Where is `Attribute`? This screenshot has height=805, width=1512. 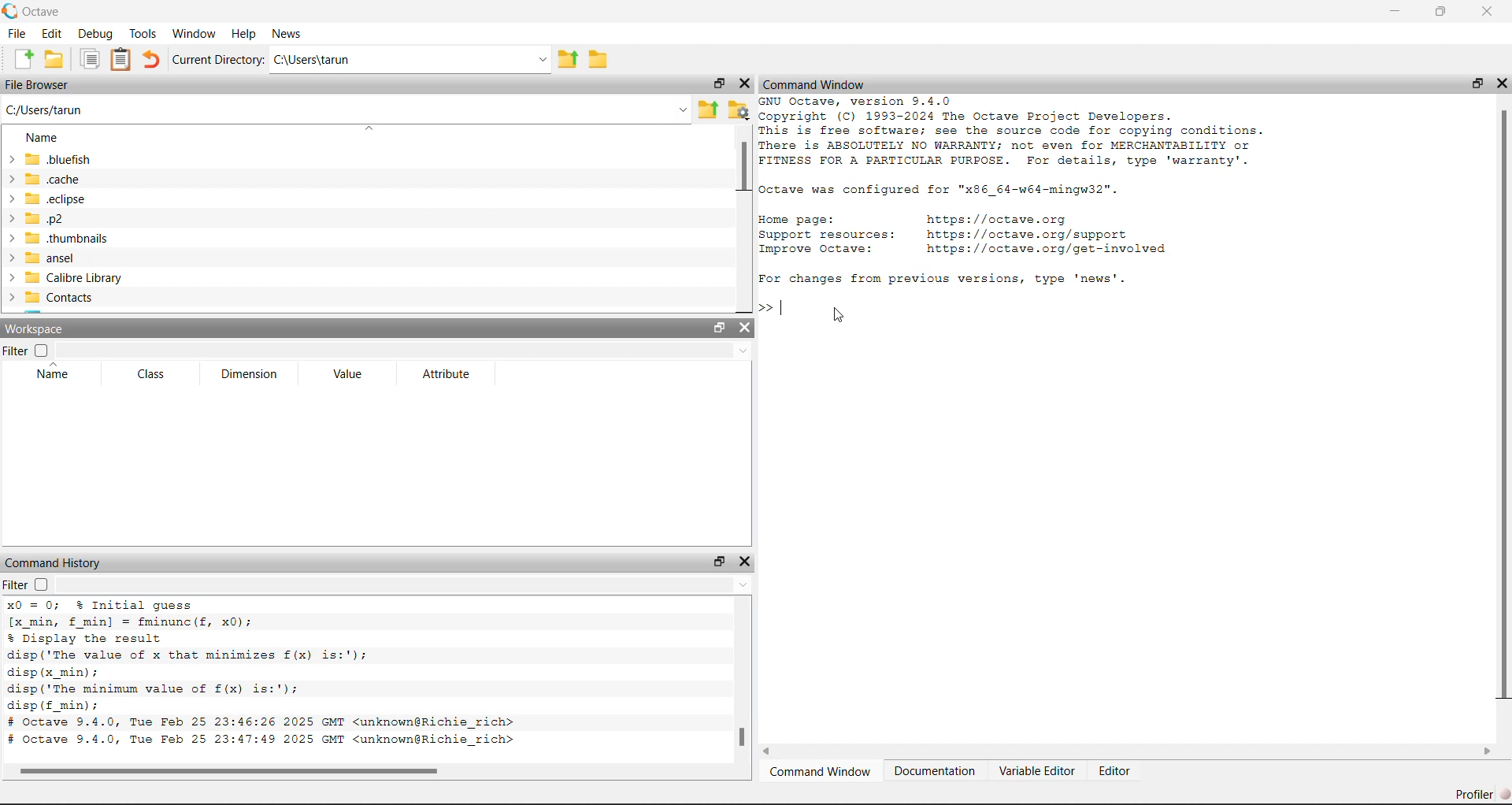
Attribute is located at coordinates (446, 373).